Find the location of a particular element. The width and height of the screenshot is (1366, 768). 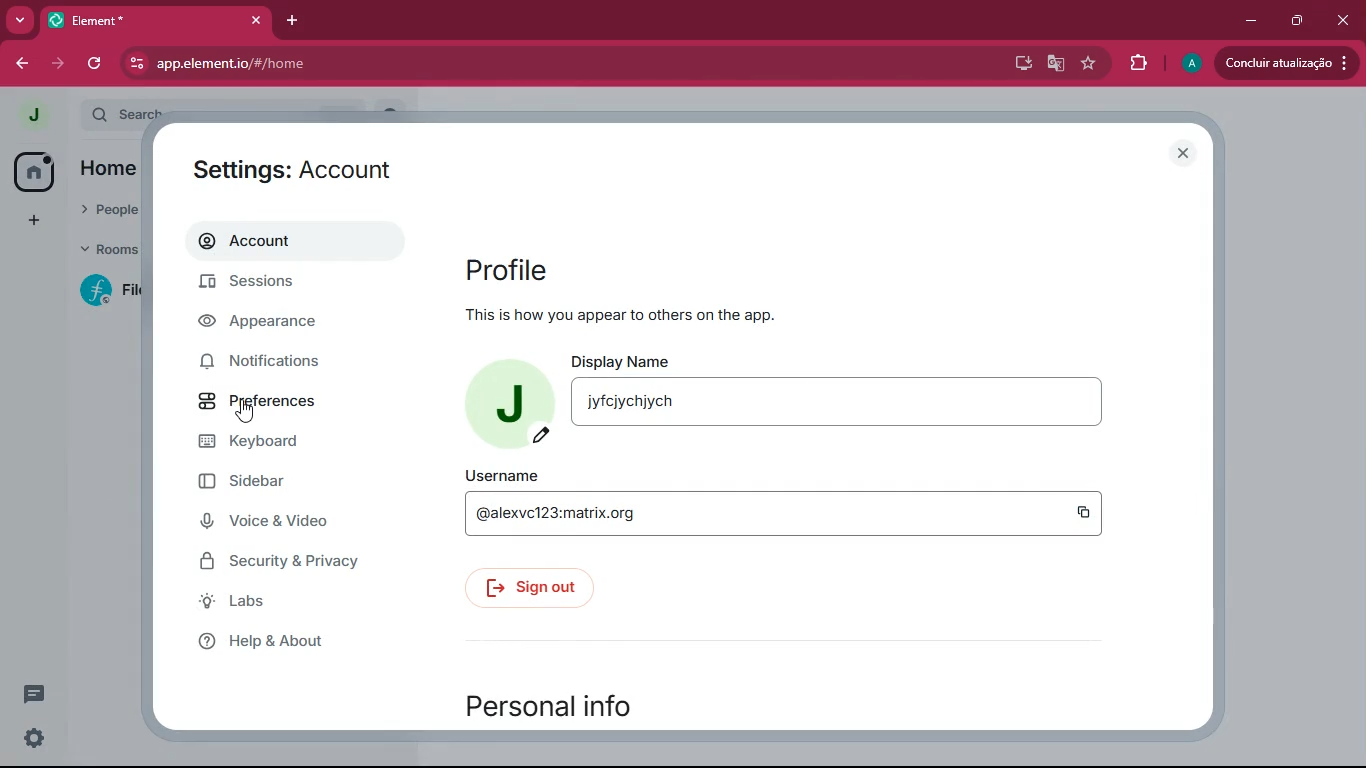

element* is located at coordinates (114, 19).